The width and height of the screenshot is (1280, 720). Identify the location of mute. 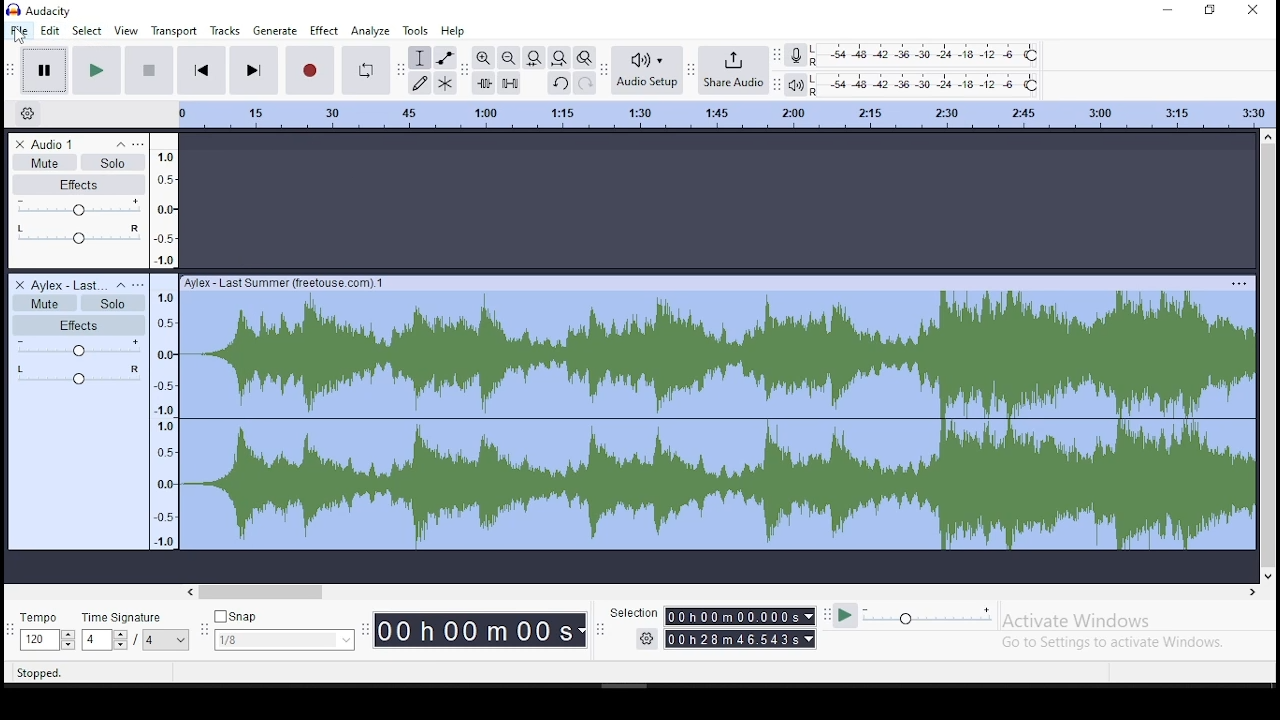
(44, 161).